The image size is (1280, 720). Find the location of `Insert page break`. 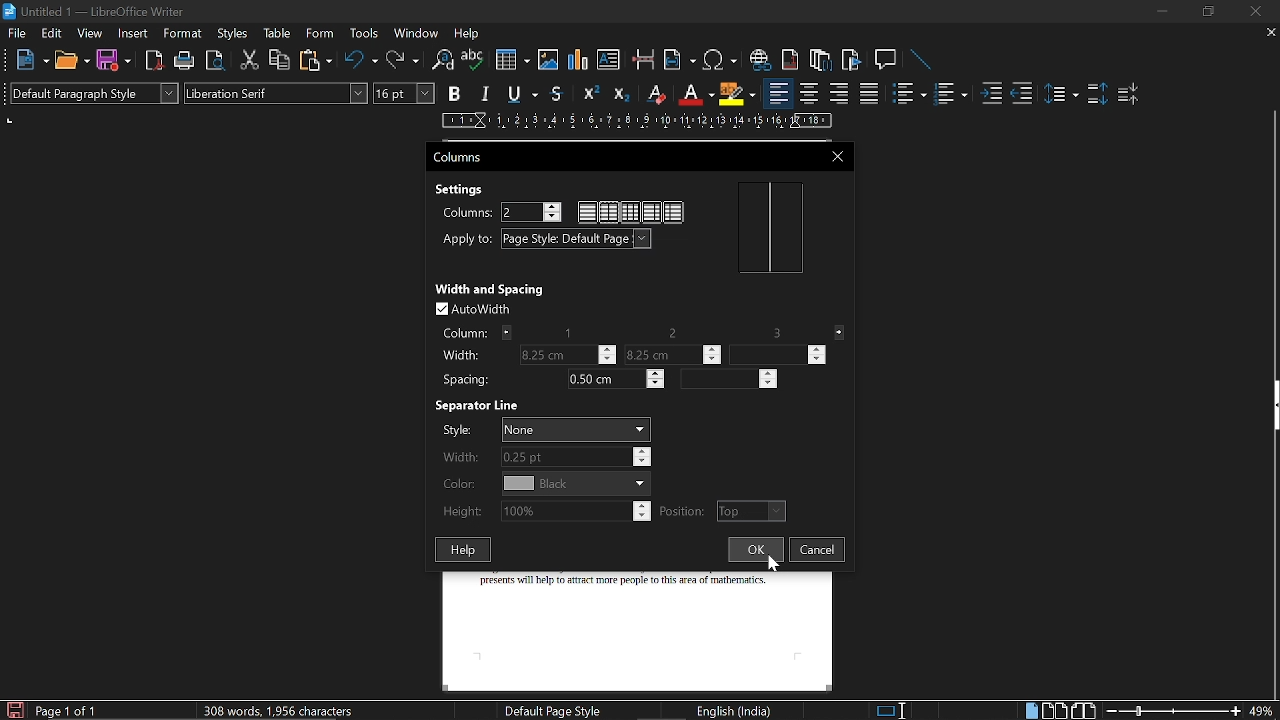

Insert page break is located at coordinates (642, 60).